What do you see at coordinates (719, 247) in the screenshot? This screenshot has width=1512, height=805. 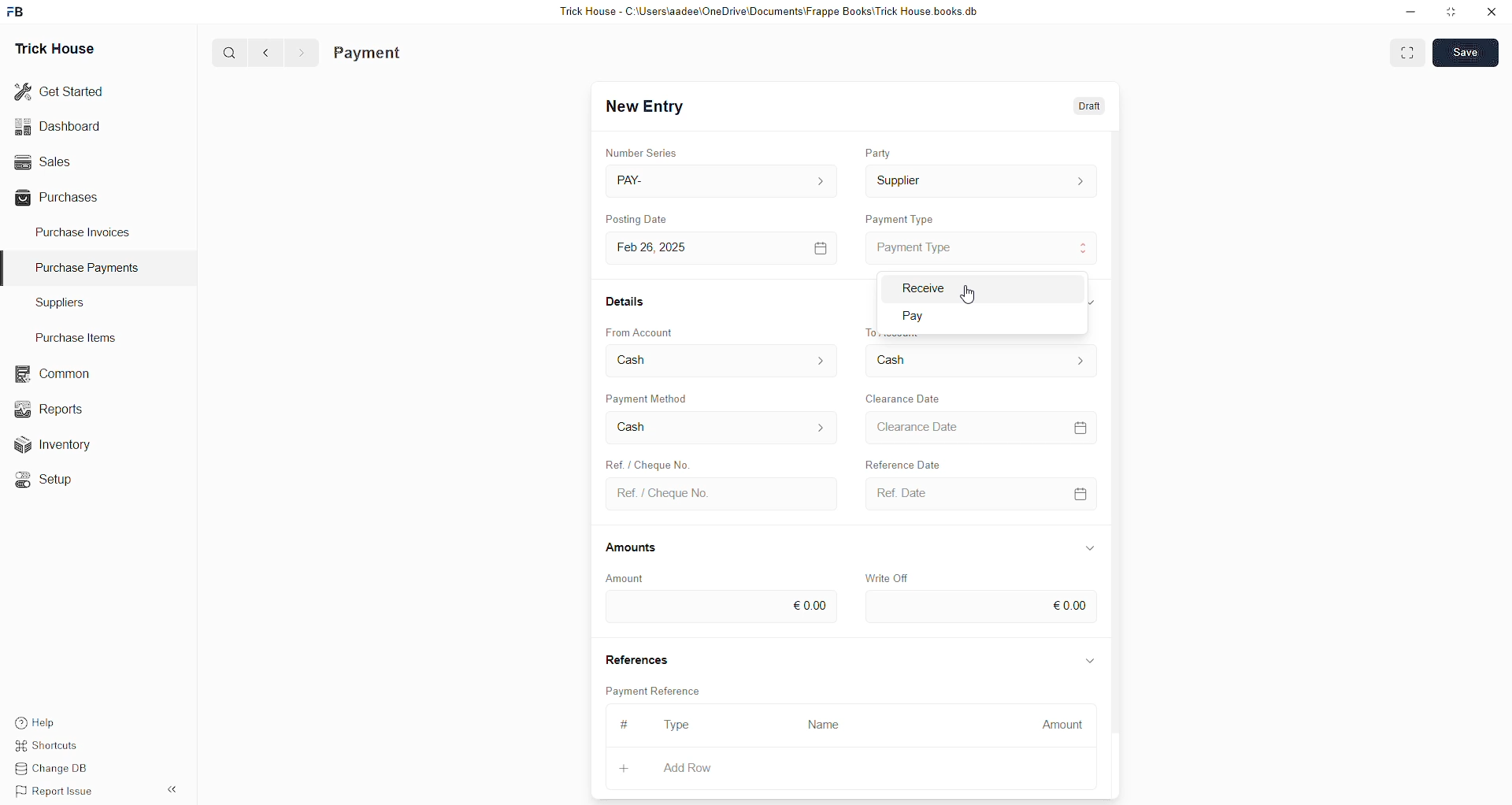 I see `Feb 26, 2025 ` at bounding box center [719, 247].